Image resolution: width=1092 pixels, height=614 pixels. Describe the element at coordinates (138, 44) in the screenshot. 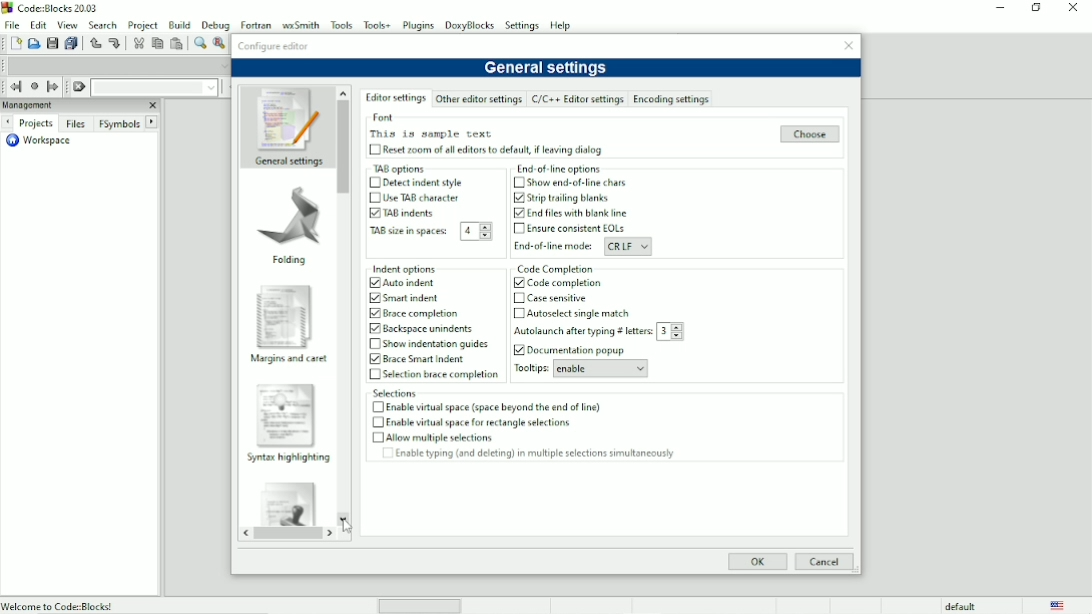

I see `Cut` at that location.